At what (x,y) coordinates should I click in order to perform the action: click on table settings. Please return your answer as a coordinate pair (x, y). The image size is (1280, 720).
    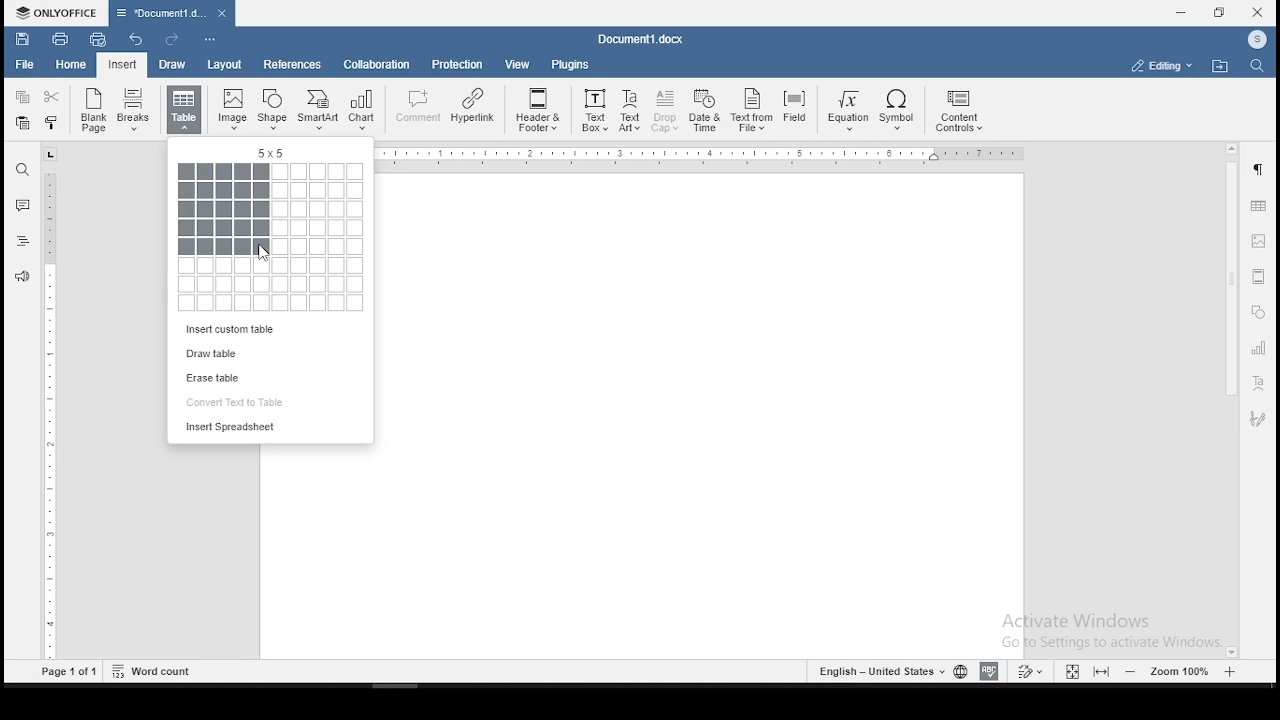
    Looking at the image, I should click on (1260, 207).